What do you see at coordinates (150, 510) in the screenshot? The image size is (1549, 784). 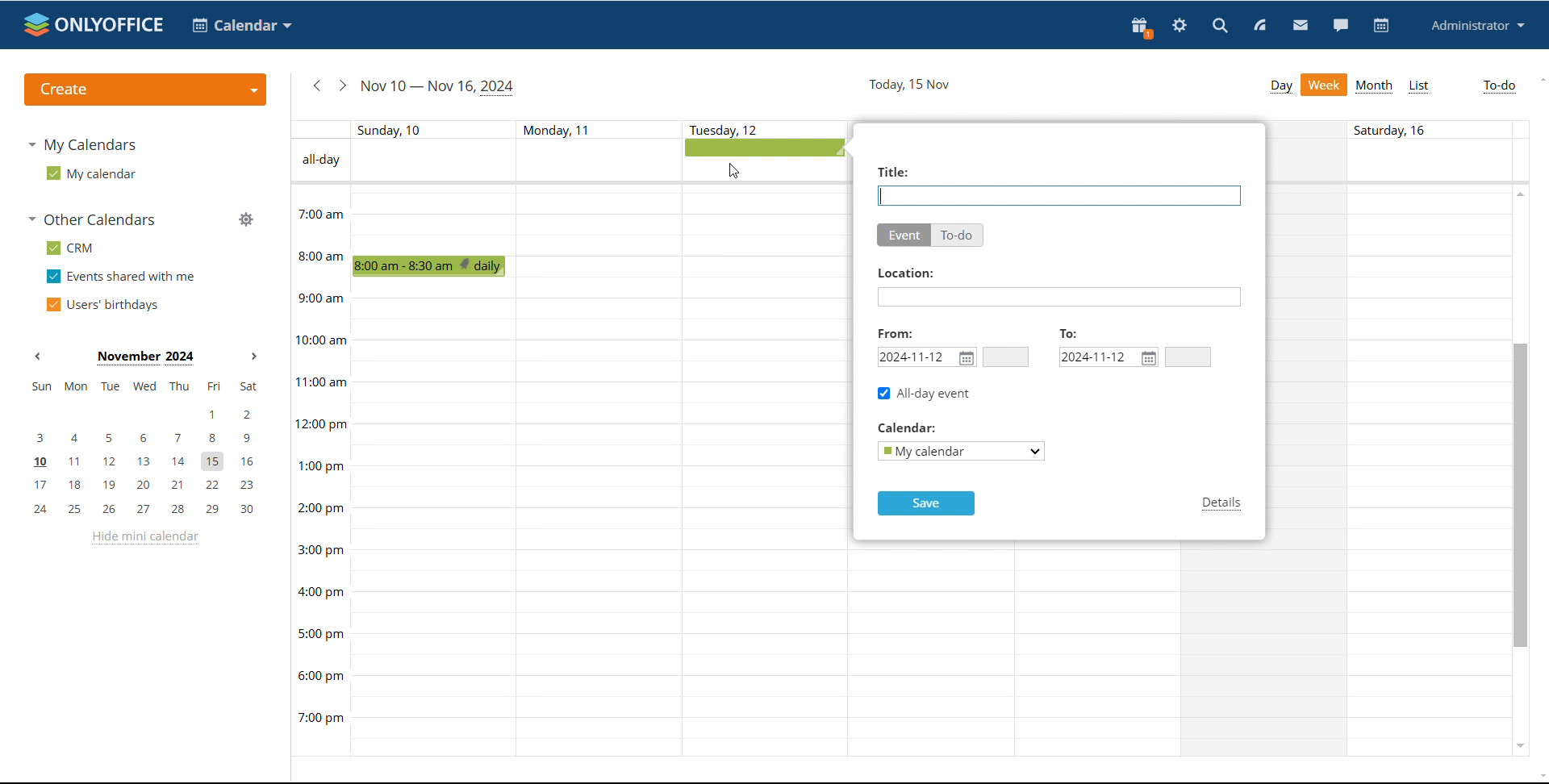 I see `24, 25, 26, 27, 28, 29, 30 ` at bounding box center [150, 510].